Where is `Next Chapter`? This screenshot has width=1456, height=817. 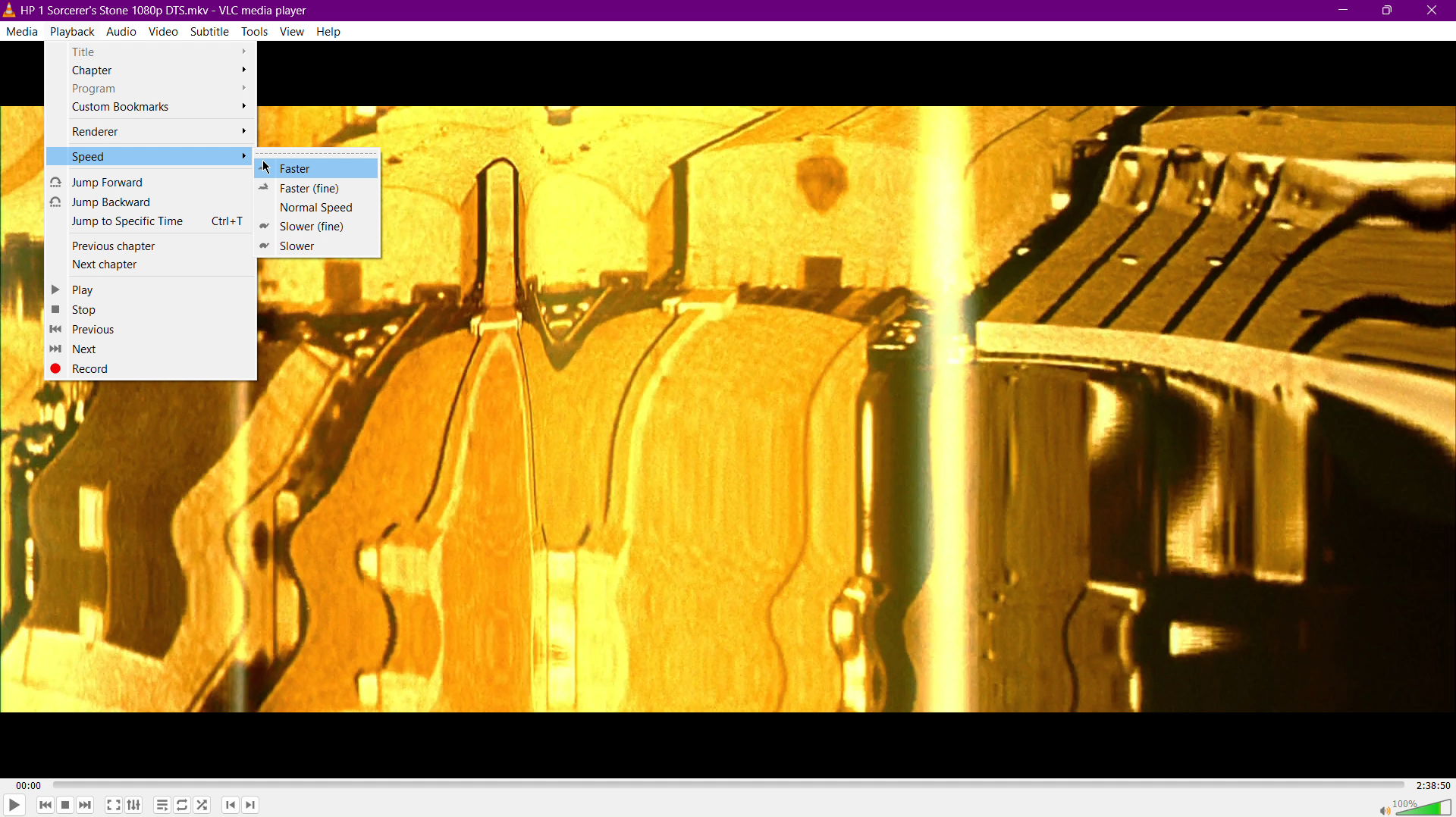
Next Chapter is located at coordinates (253, 807).